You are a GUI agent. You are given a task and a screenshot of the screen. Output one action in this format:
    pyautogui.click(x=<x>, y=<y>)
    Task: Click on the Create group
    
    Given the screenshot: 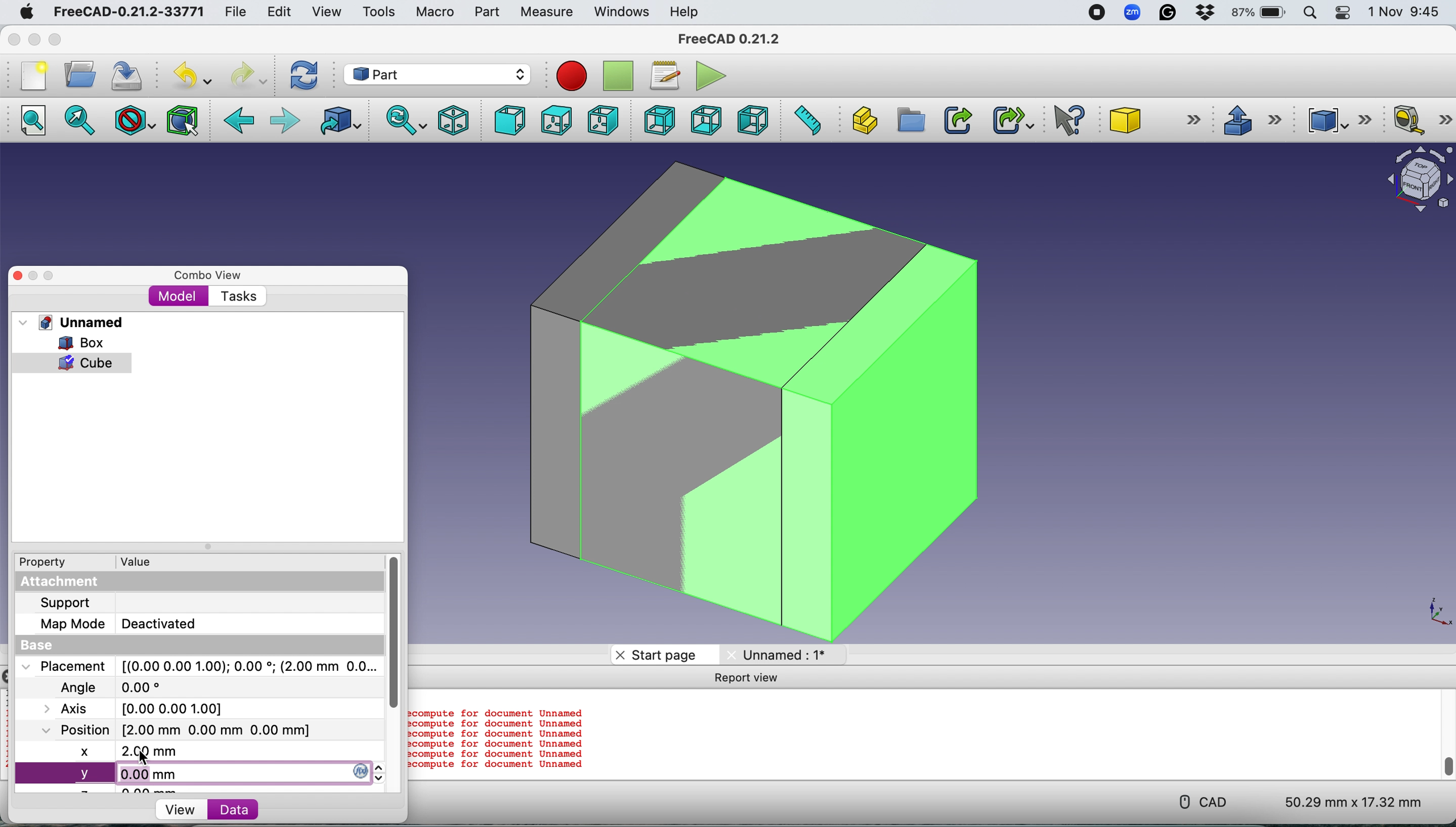 What is the action you would take?
    pyautogui.click(x=909, y=120)
    